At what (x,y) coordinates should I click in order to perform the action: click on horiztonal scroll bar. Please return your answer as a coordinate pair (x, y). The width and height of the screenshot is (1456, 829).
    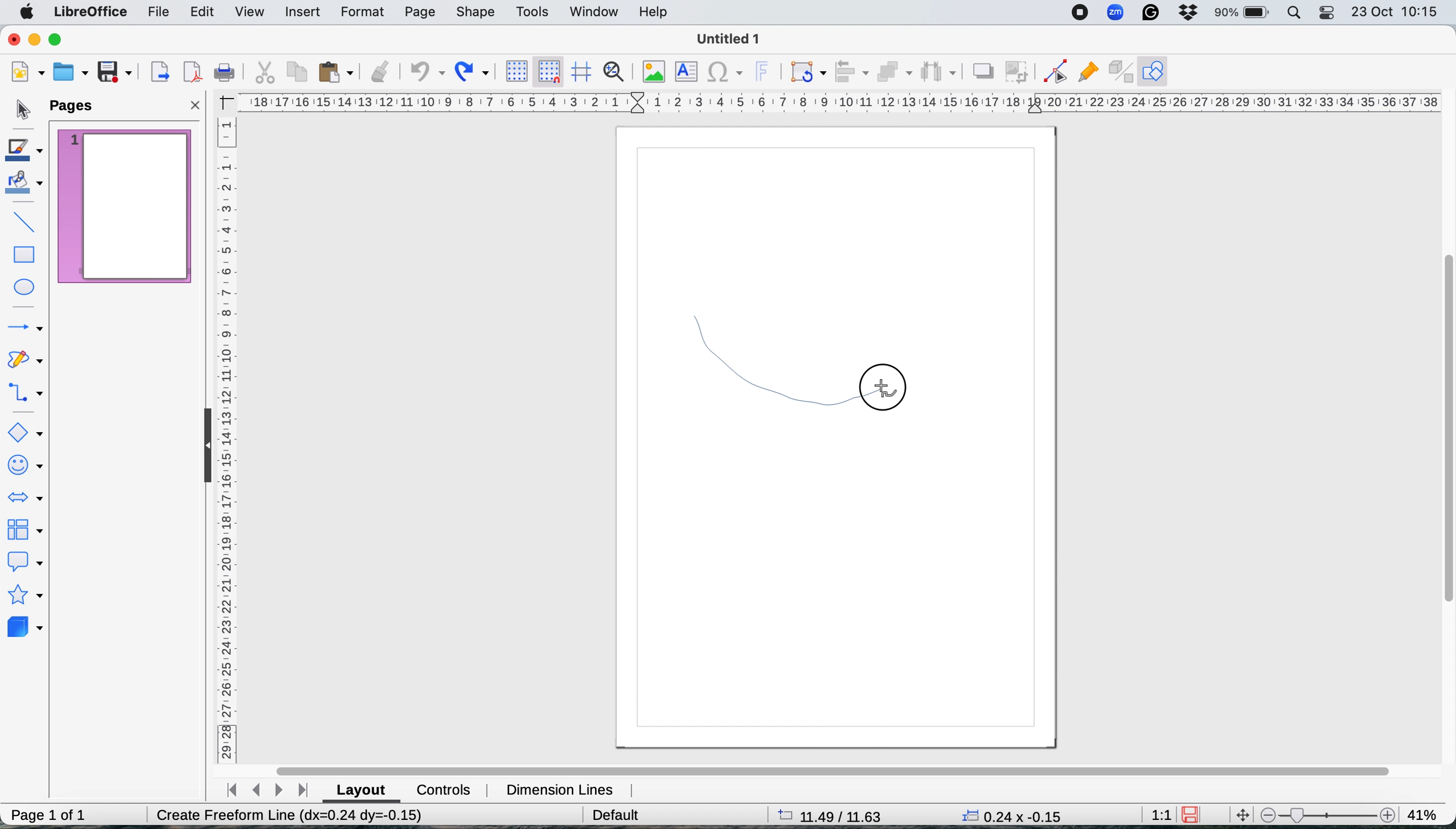
    Looking at the image, I should click on (827, 766).